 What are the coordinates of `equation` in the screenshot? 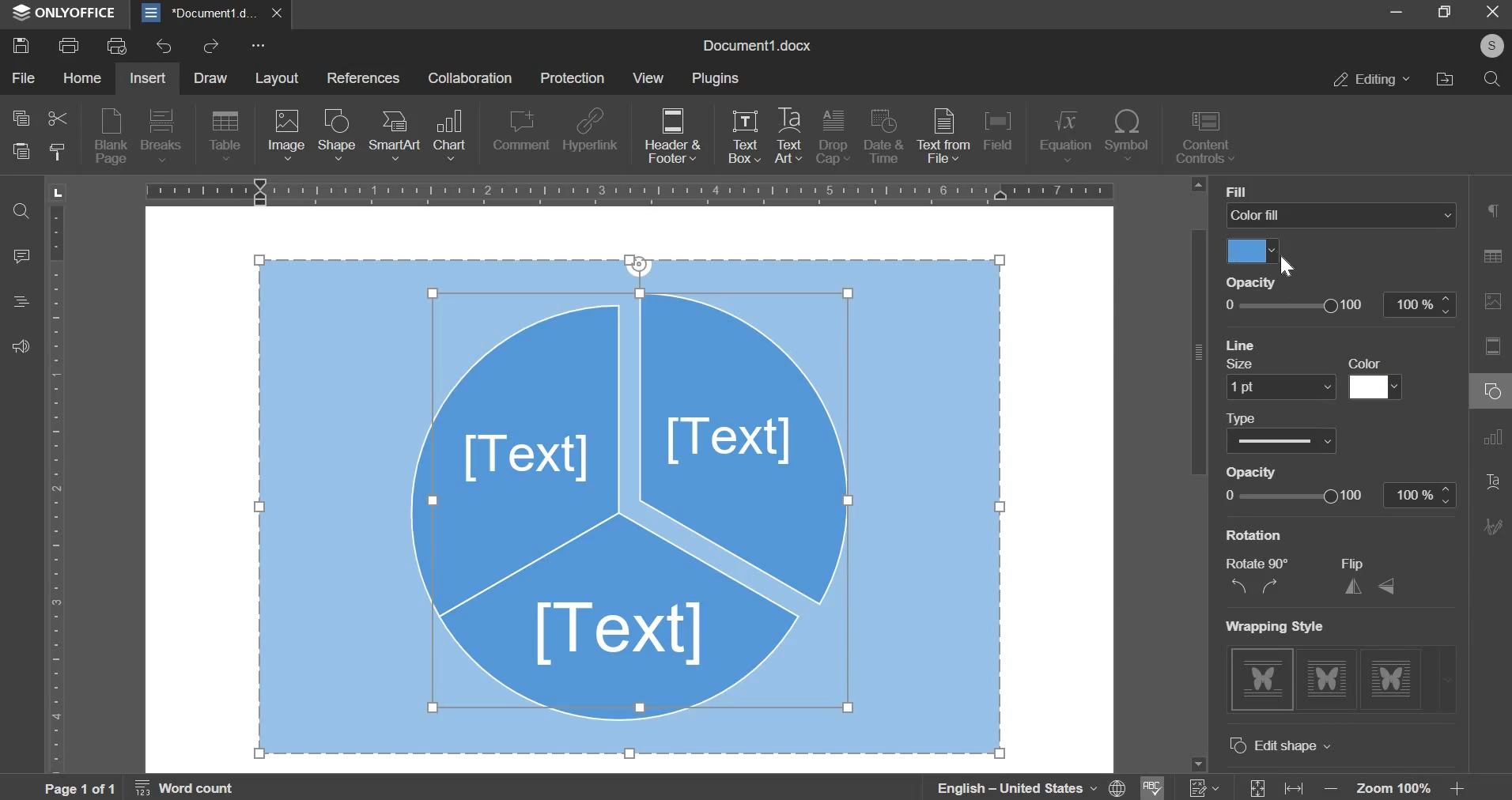 It's located at (1066, 137).